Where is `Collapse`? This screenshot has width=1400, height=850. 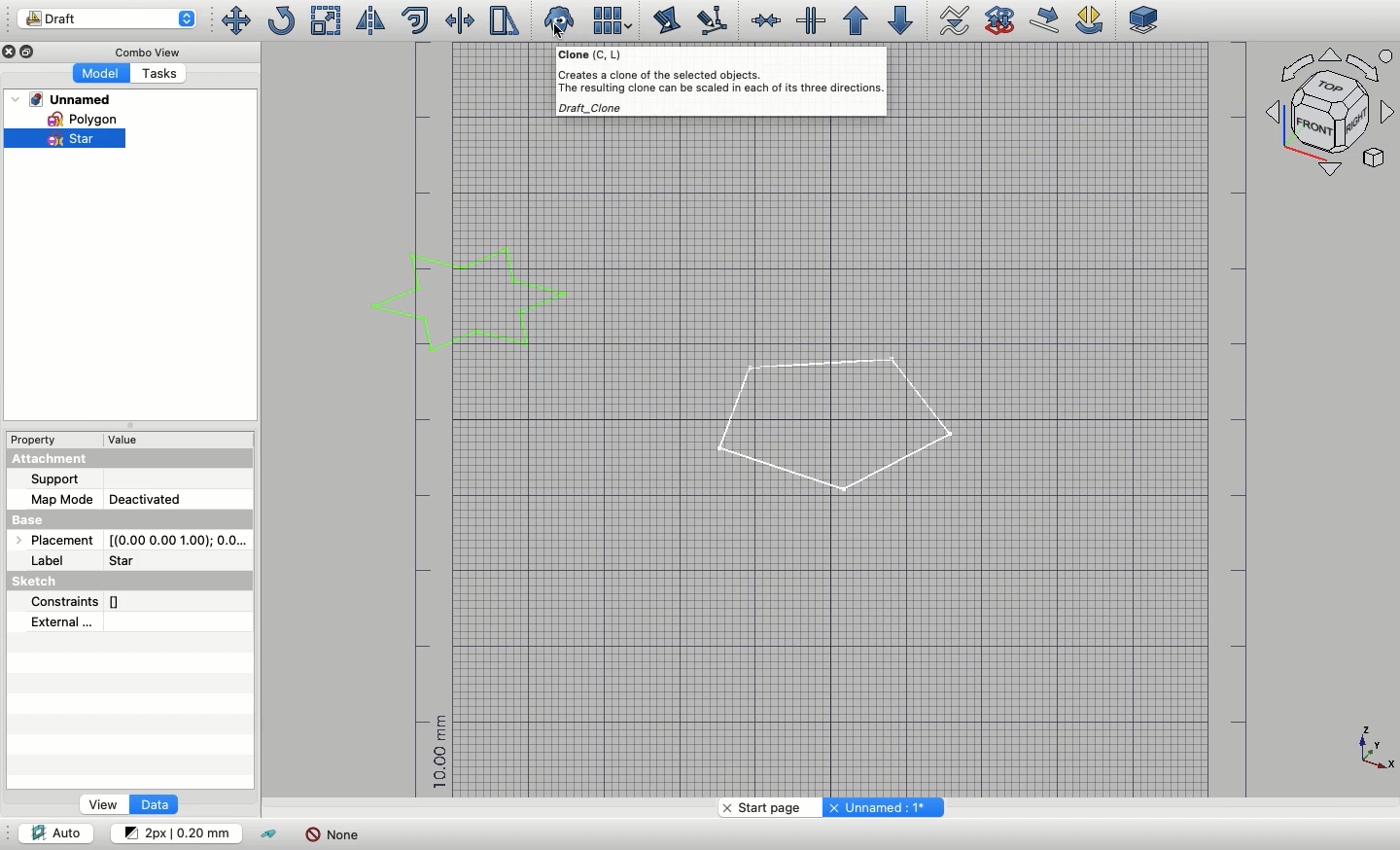
Collapse is located at coordinates (128, 425).